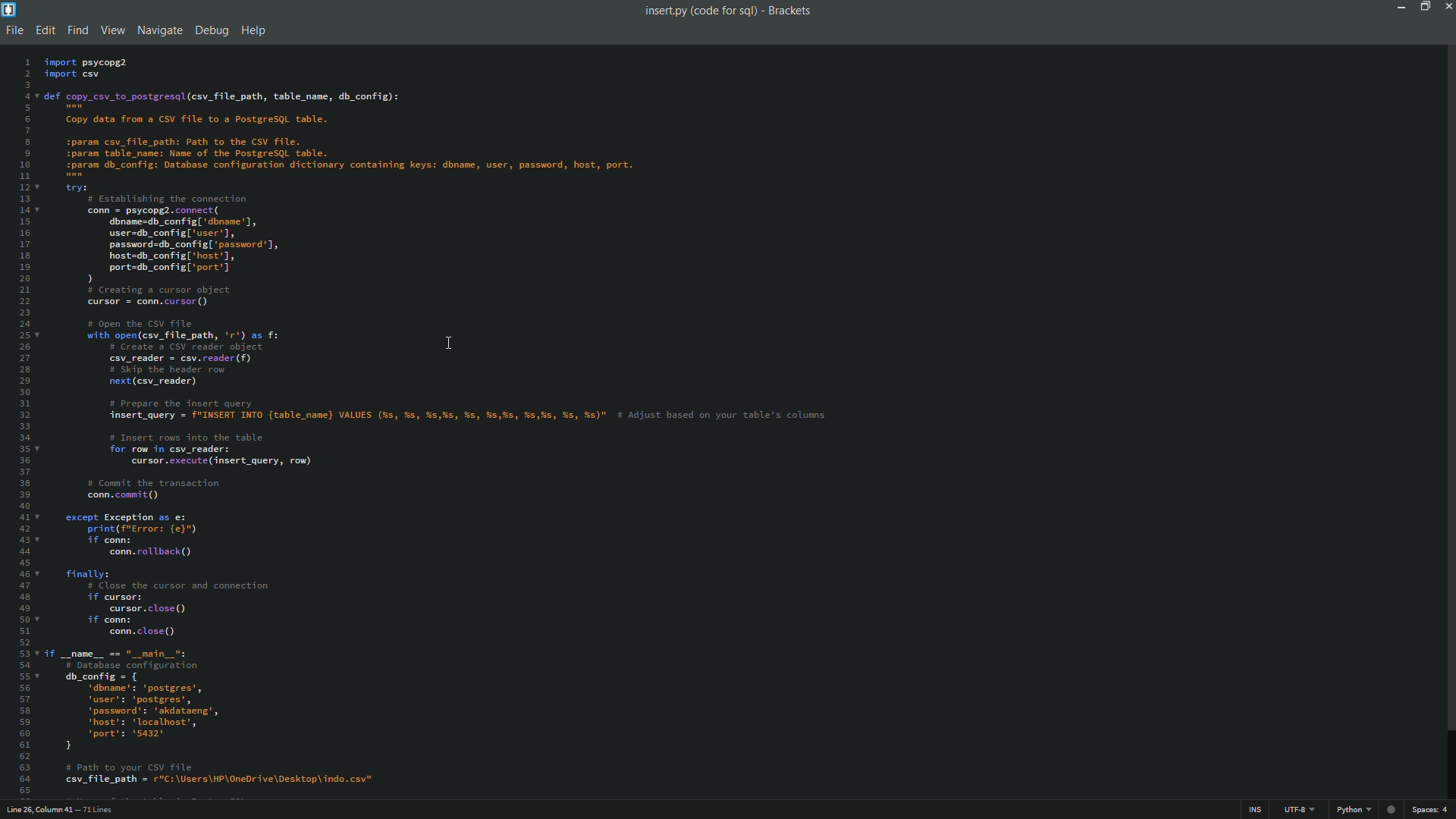  What do you see at coordinates (45, 30) in the screenshot?
I see `edit menu` at bounding box center [45, 30].